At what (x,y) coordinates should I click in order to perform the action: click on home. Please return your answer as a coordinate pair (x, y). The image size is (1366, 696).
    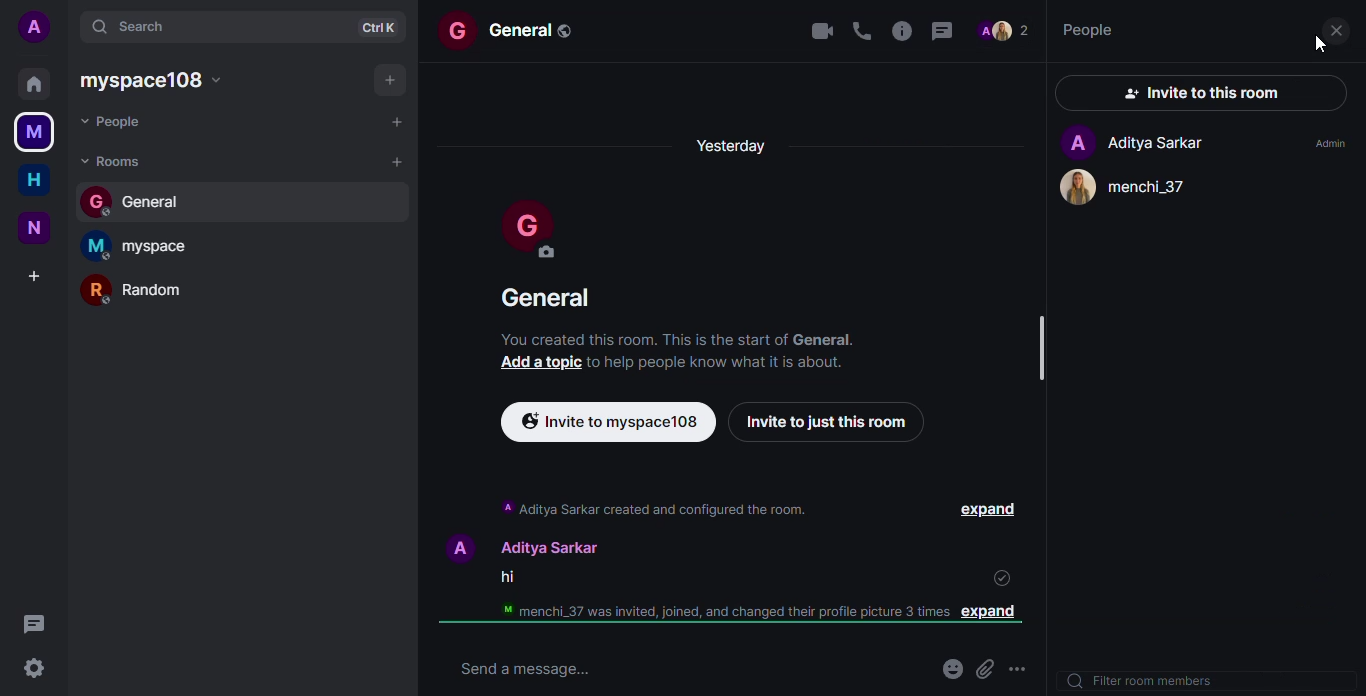
    Looking at the image, I should click on (33, 82).